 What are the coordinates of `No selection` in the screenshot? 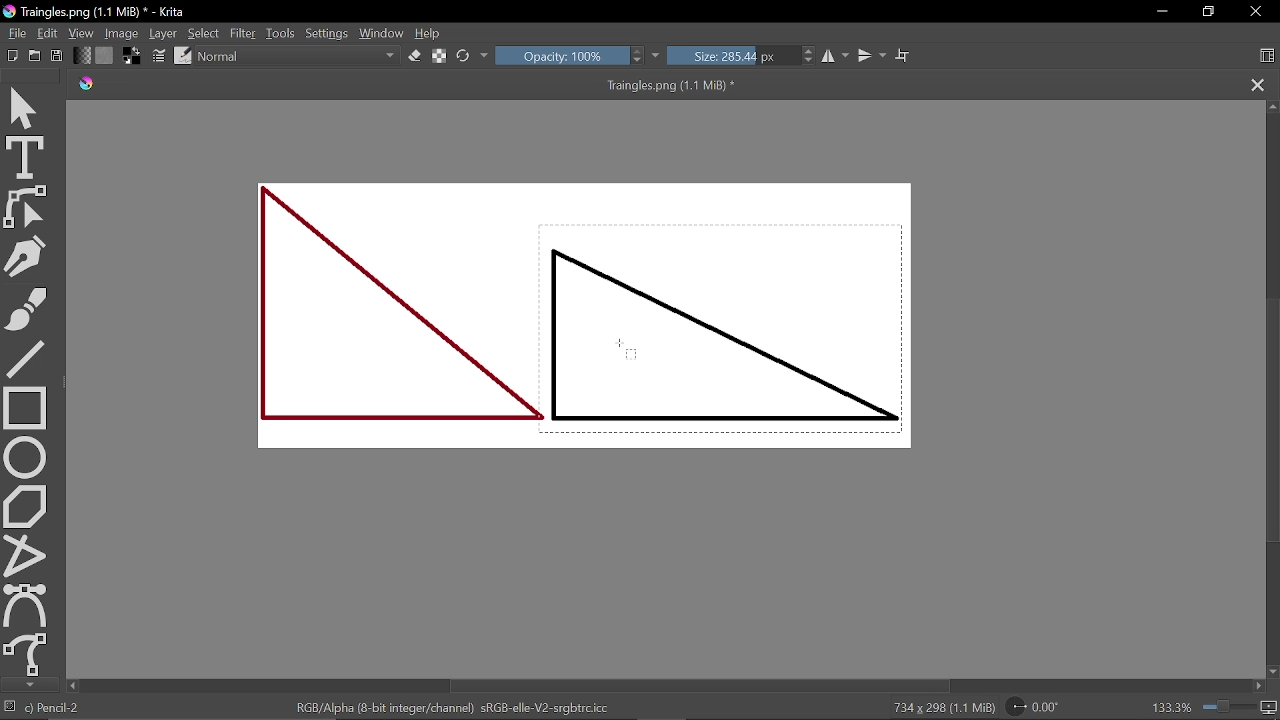 It's located at (10, 708).